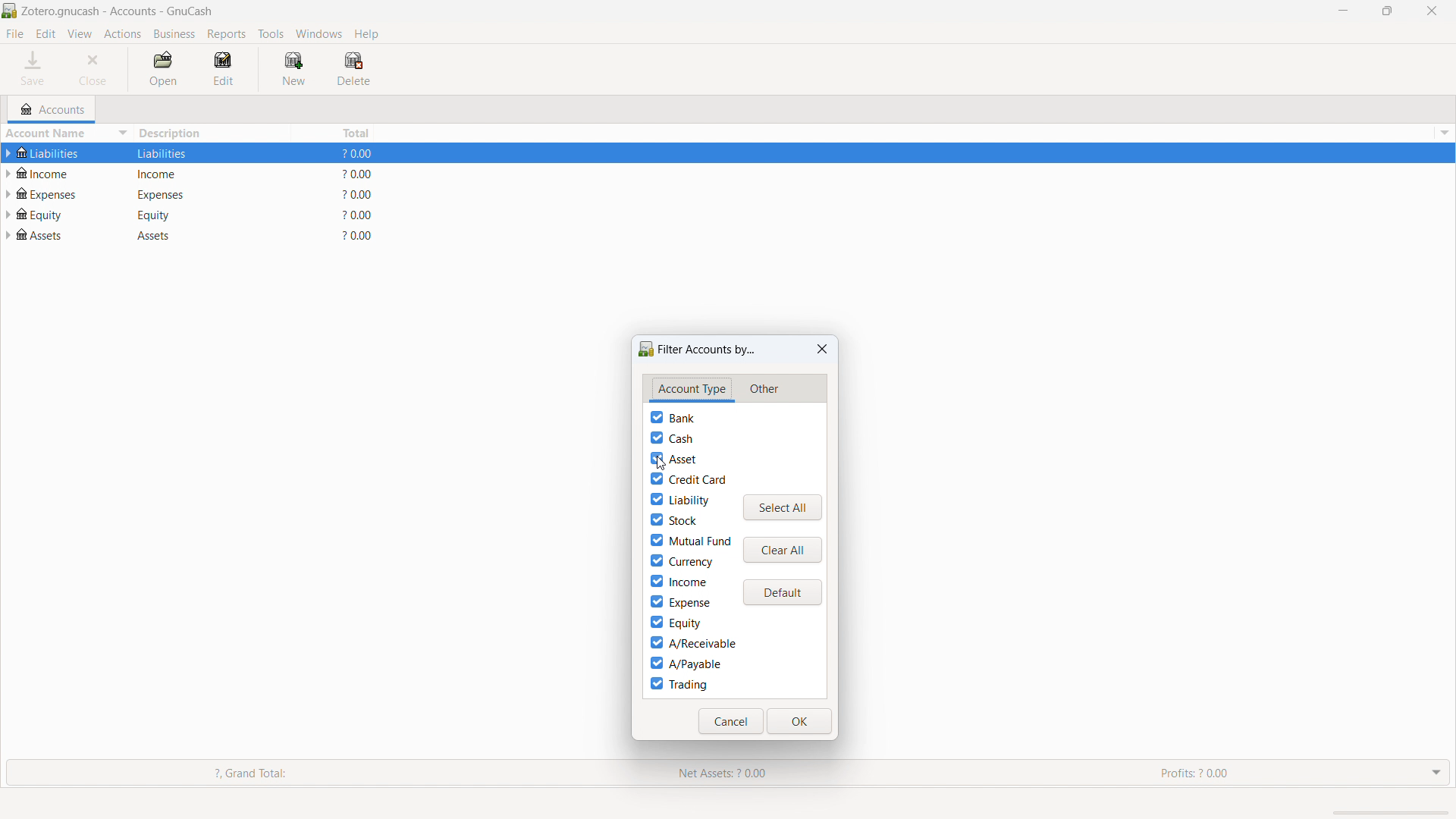  What do you see at coordinates (681, 561) in the screenshot?
I see `currency` at bounding box center [681, 561].